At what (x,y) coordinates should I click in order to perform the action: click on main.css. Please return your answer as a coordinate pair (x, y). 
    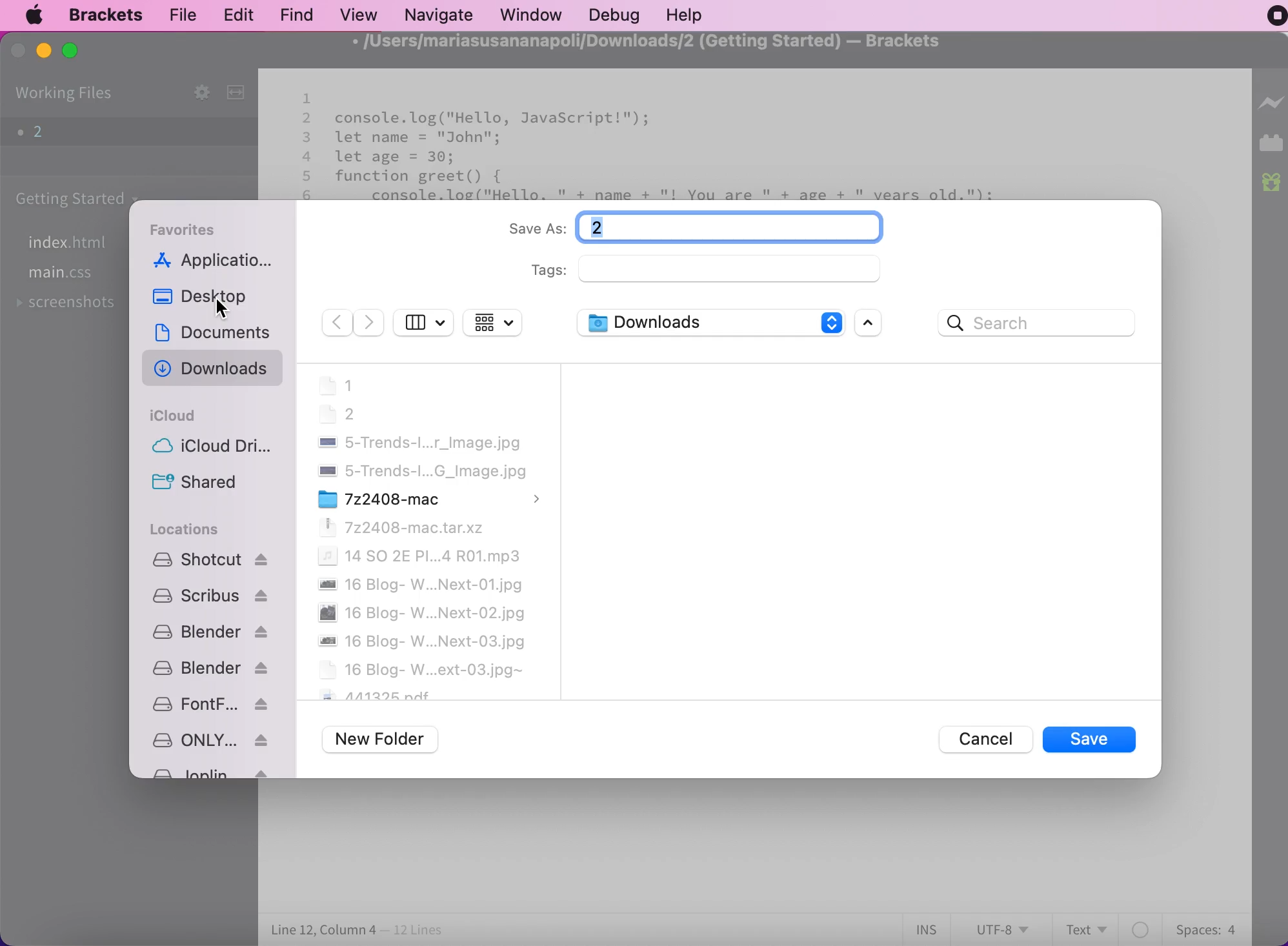
    Looking at the image, I should click on (64, 276).